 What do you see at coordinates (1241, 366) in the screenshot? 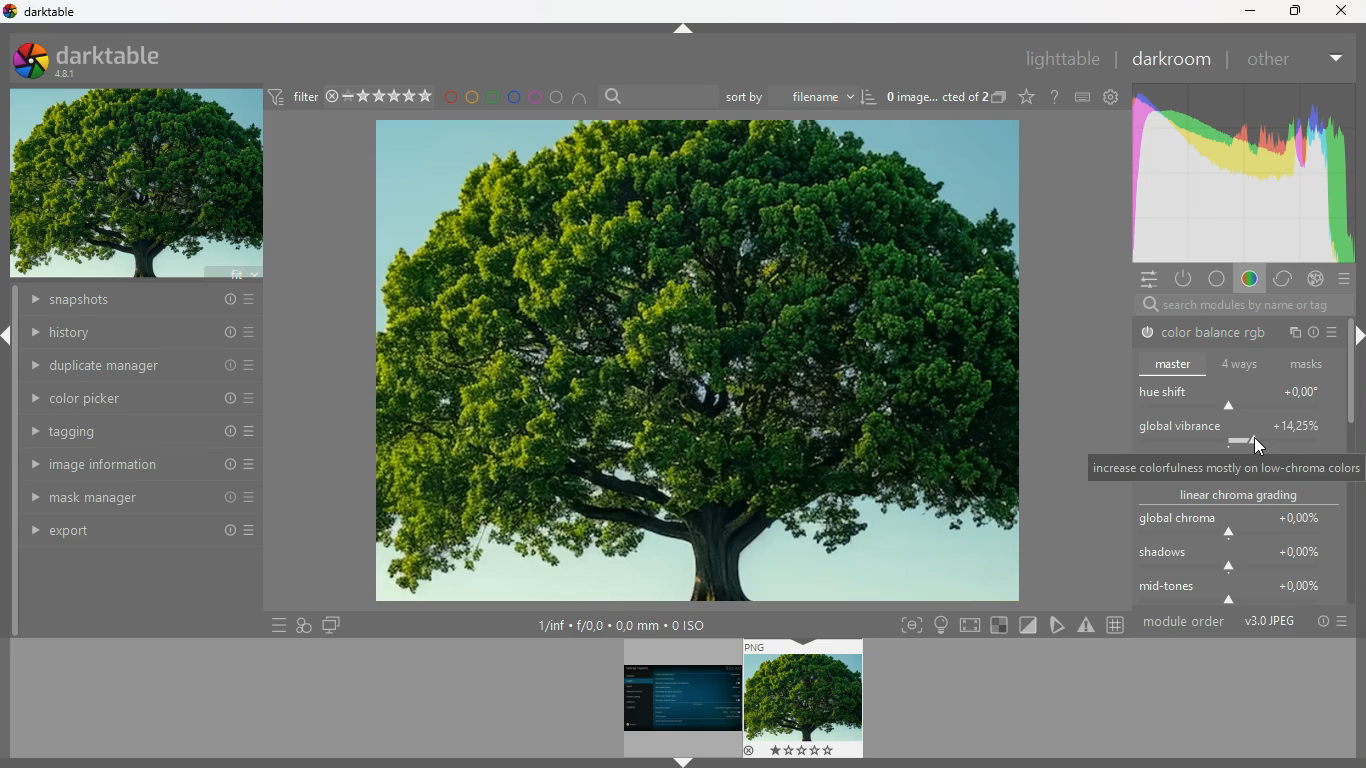
I see `4 ways` at bounding box center [1241, 366].